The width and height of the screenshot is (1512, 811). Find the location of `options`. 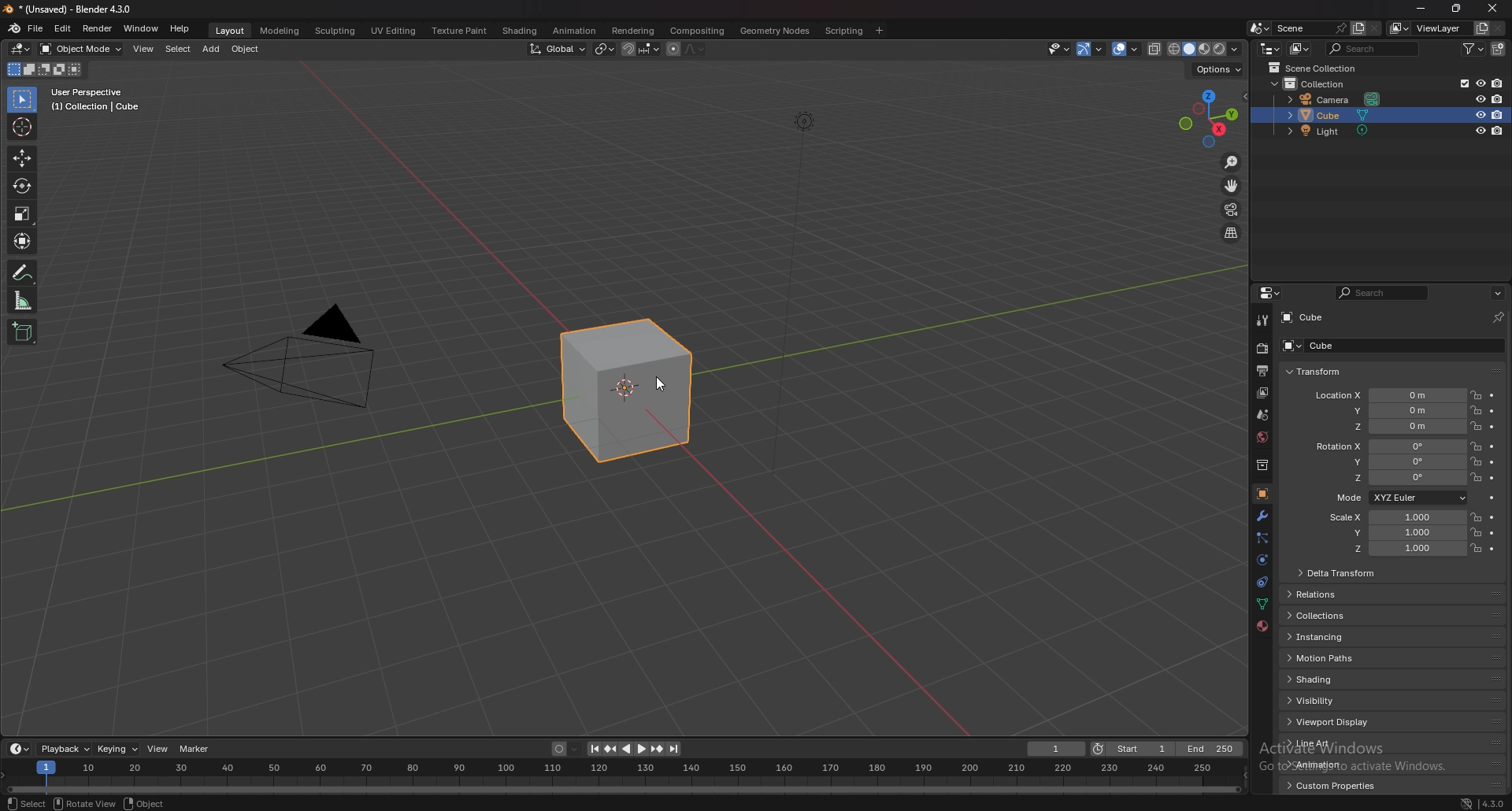

options is located at coordinates (1217, 70).